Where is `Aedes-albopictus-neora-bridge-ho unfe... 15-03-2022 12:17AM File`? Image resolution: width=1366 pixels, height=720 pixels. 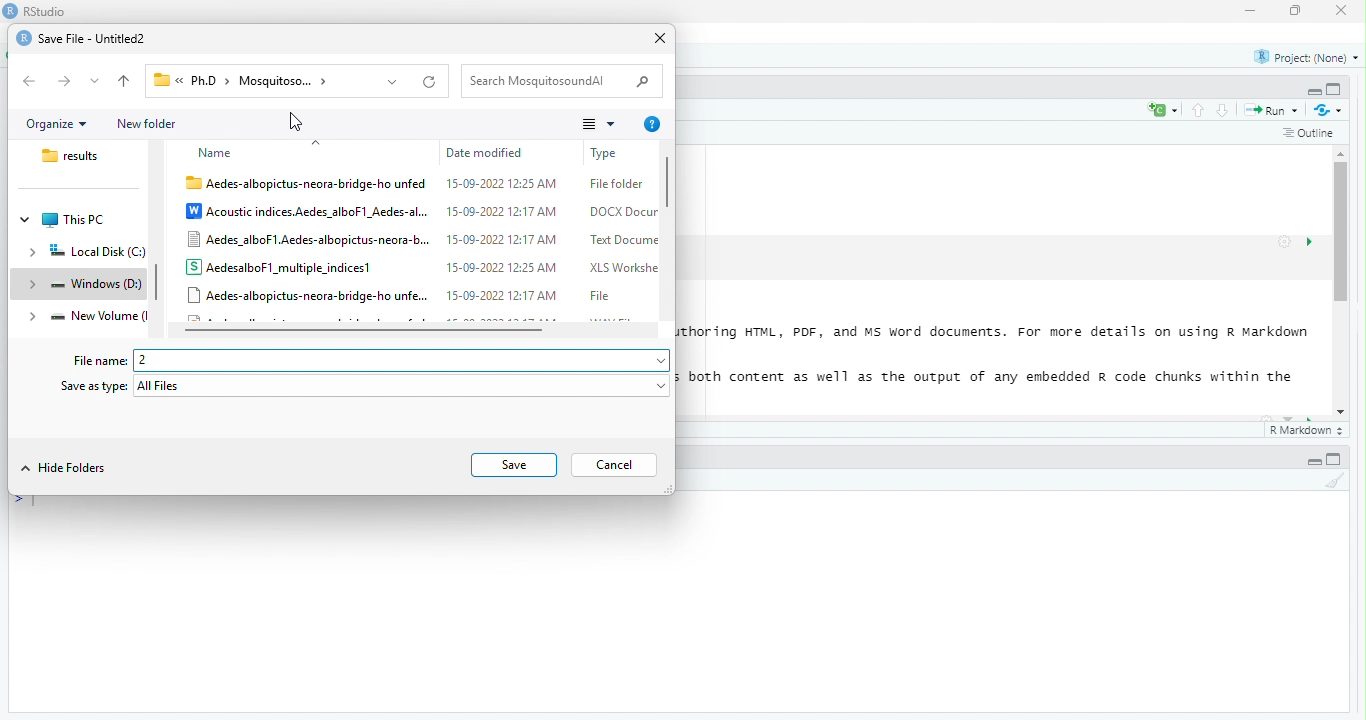
Aedes-albopictus-neora-bridge-ho unfe... 15-03-2022 12:17AM File is located at coordinates (402, 295).